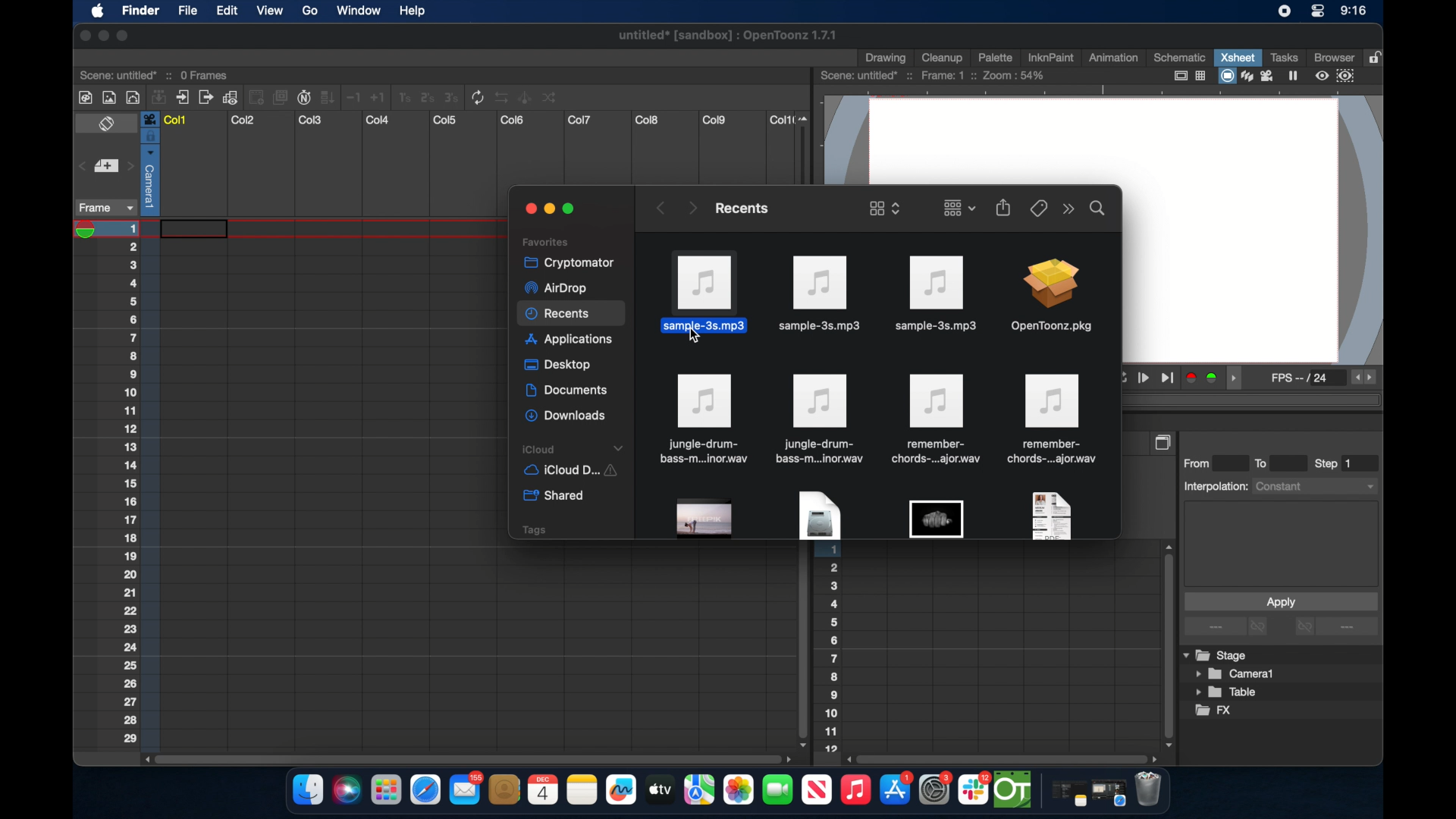 This screenshot has width=1456, height=819. Describe the element at coordinates (570, 341) in the screenshot. I see `applications` at that location.